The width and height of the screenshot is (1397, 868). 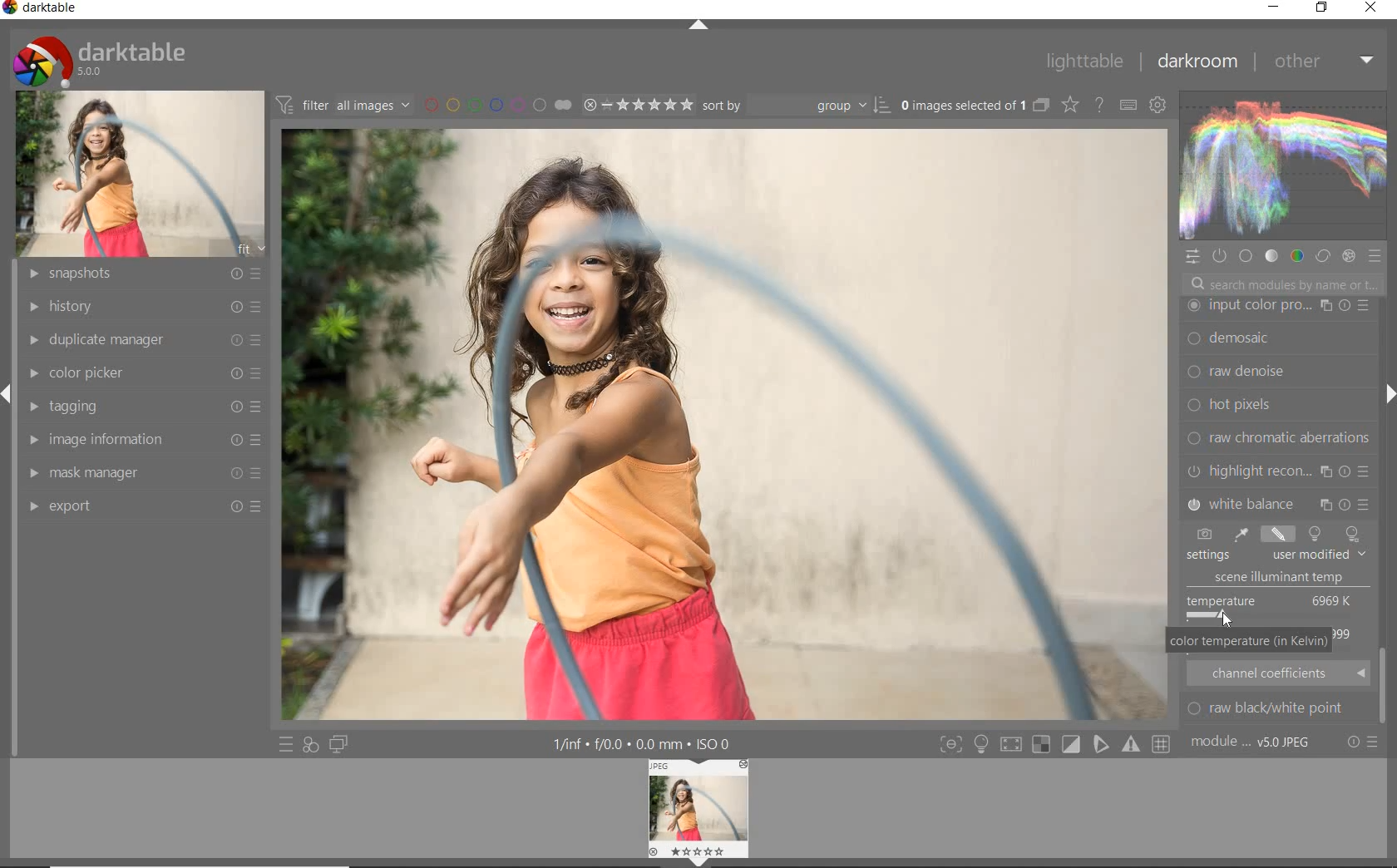 What do you see at coordinates (1385, 397) in the screenshot?
I see `expand/collapse` at bounding box center [1385, 397].